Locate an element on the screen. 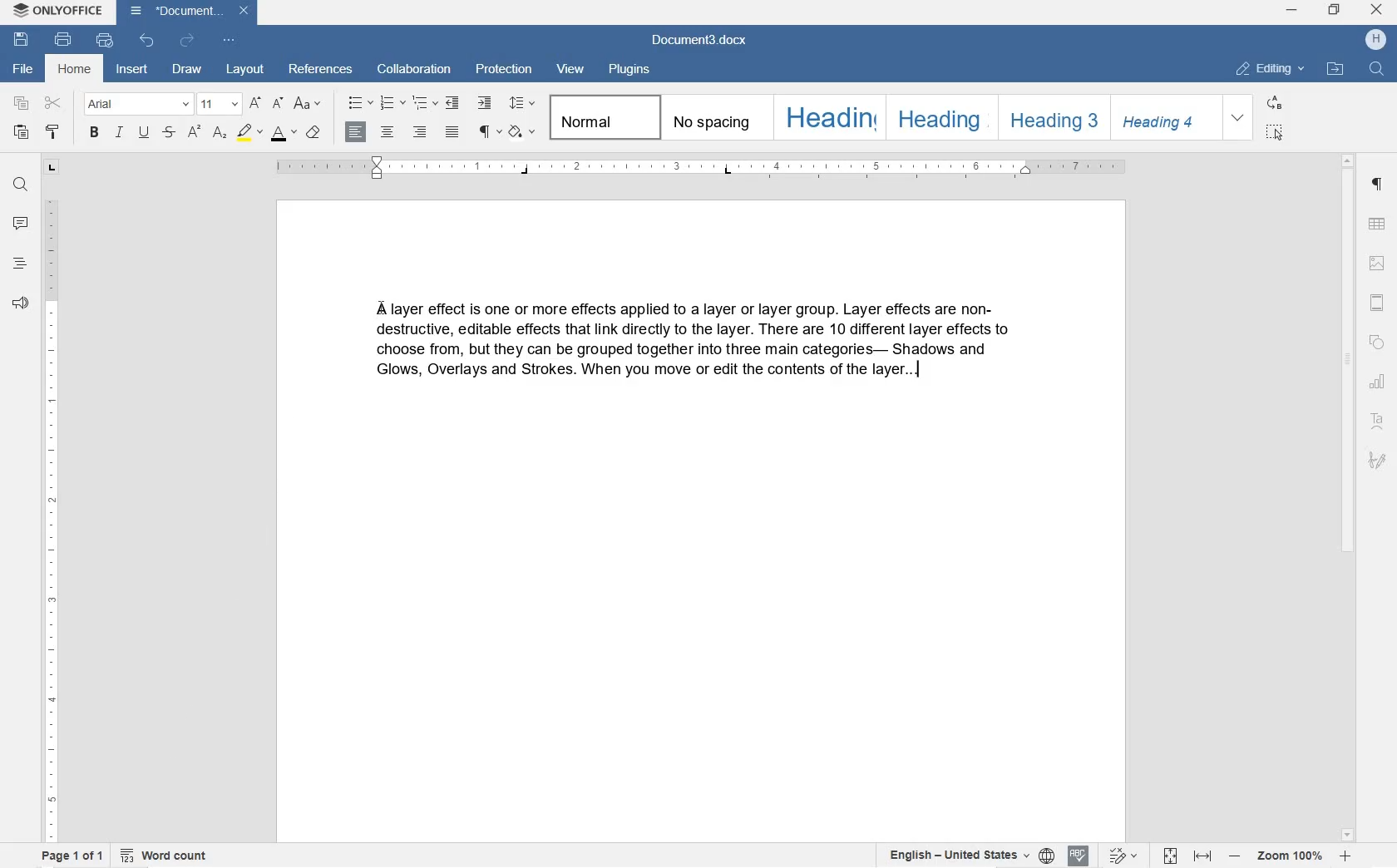 The width and height of the screenshot is (1397, 868). FIND is located at coordinates (22, 186).